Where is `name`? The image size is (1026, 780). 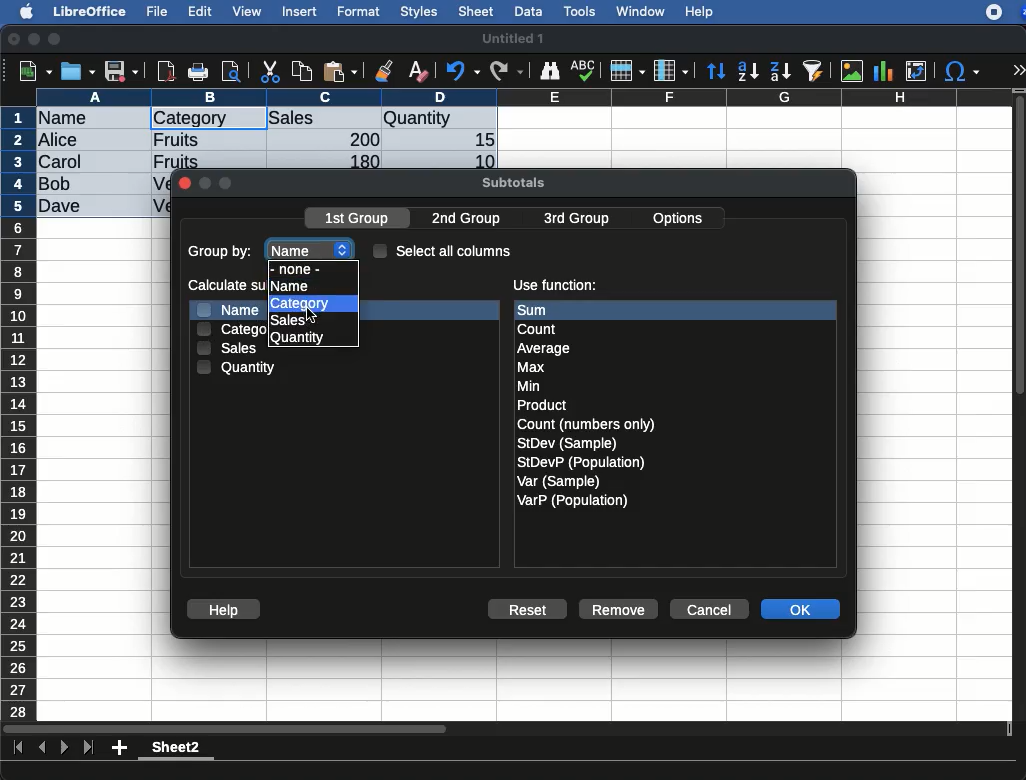 name is located at coordinates (68, 119).